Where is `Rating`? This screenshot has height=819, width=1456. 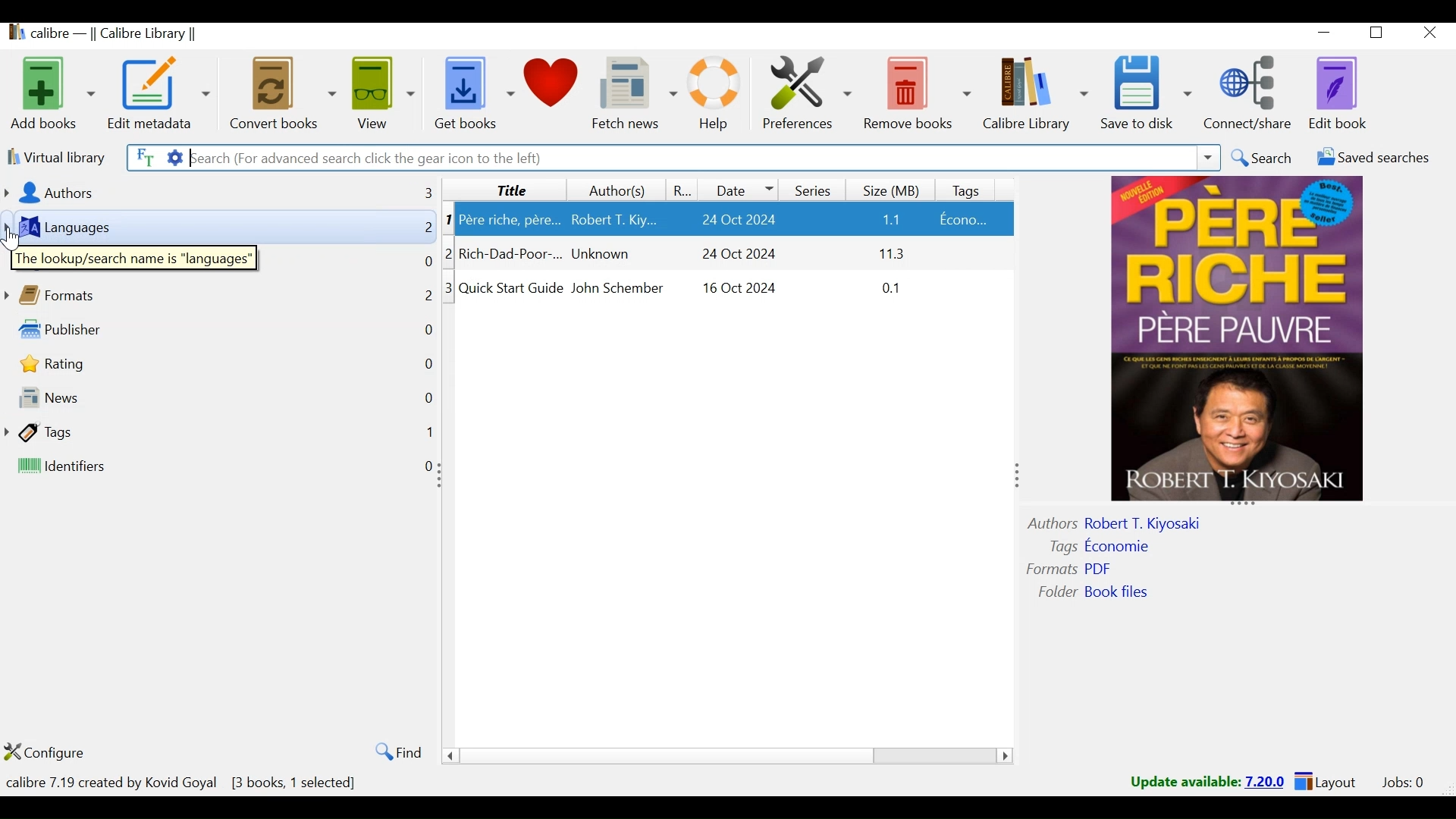 Rating is located at coordinates (684, 190).